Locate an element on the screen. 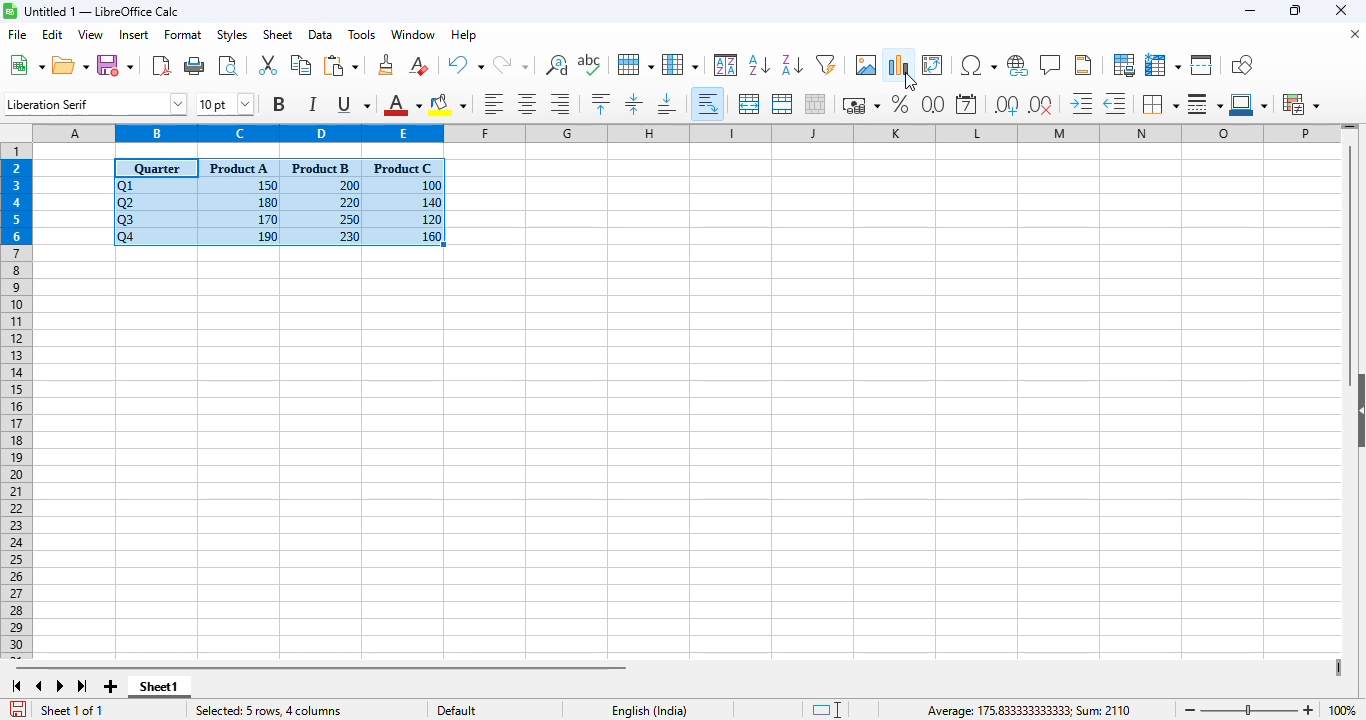  align bottom is located at coordinates (668, 104).